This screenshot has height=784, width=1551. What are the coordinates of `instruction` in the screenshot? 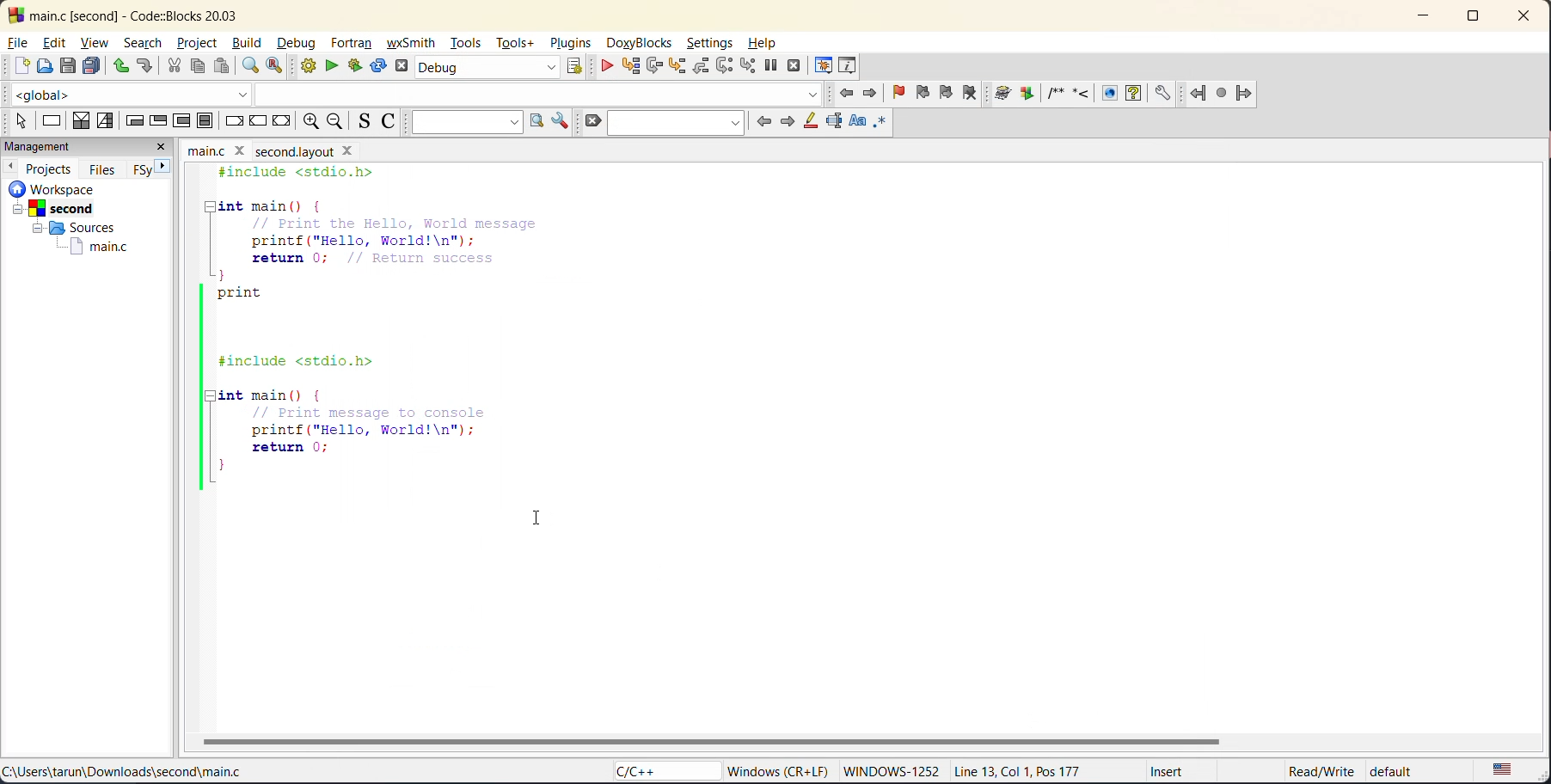 It's located at (52, 123).